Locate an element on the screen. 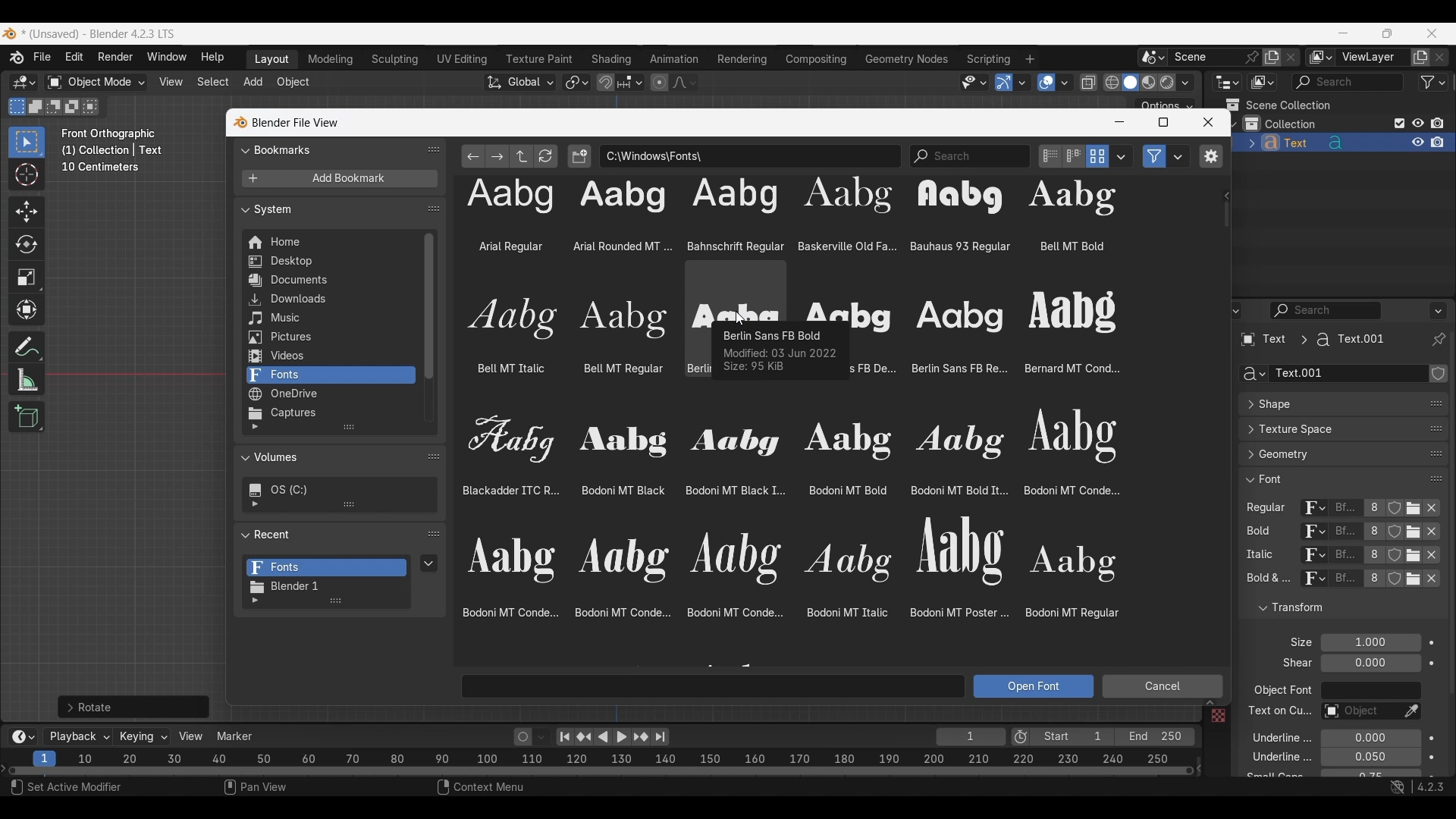  Layout workspace, current selection is located at coordinates (271, 60).